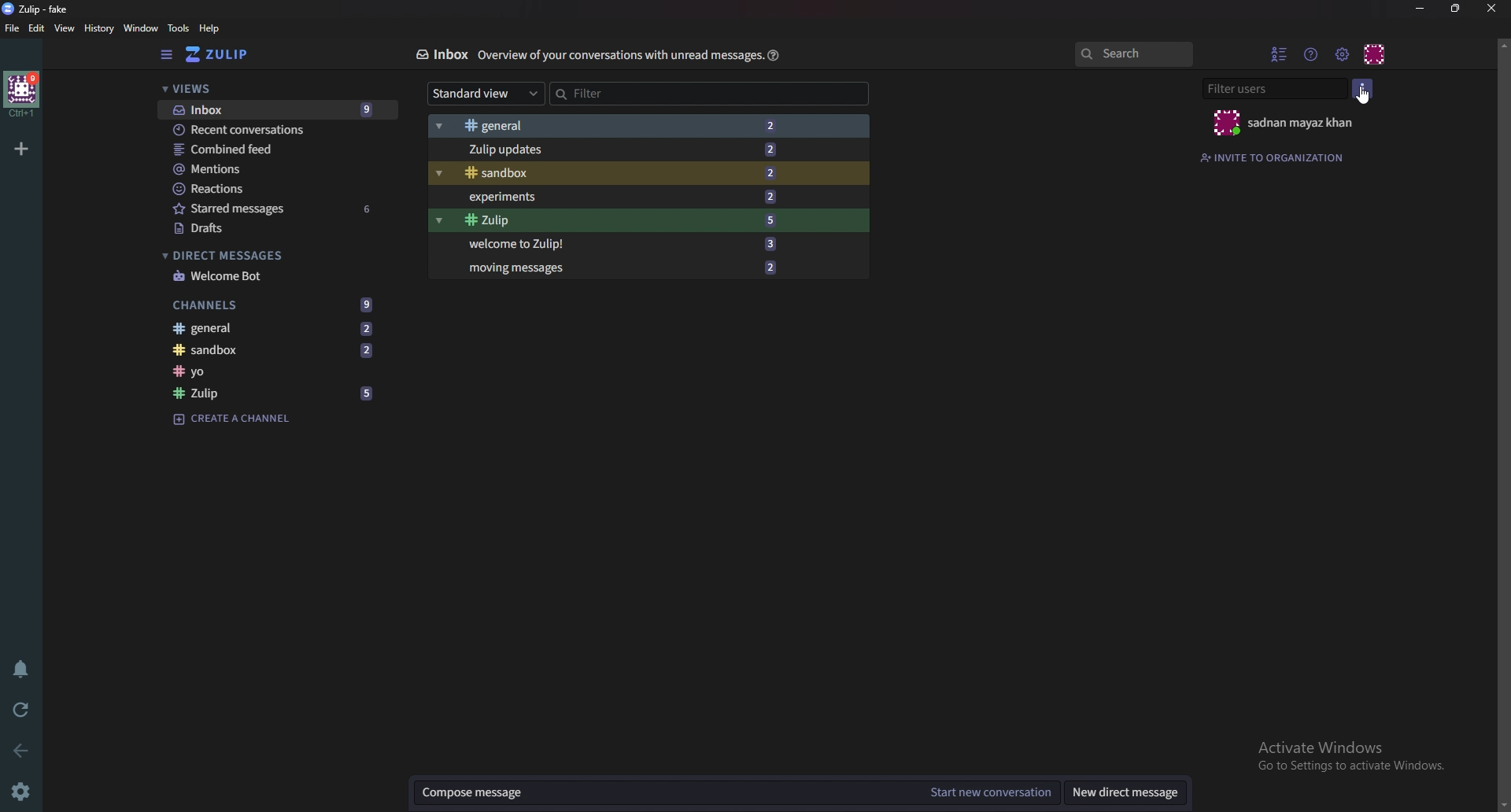 The height and width of the screenshot is (812, 1511). Describe the element at coordinates (280, 227) in the screenshot. I see `Drafts` at that location.